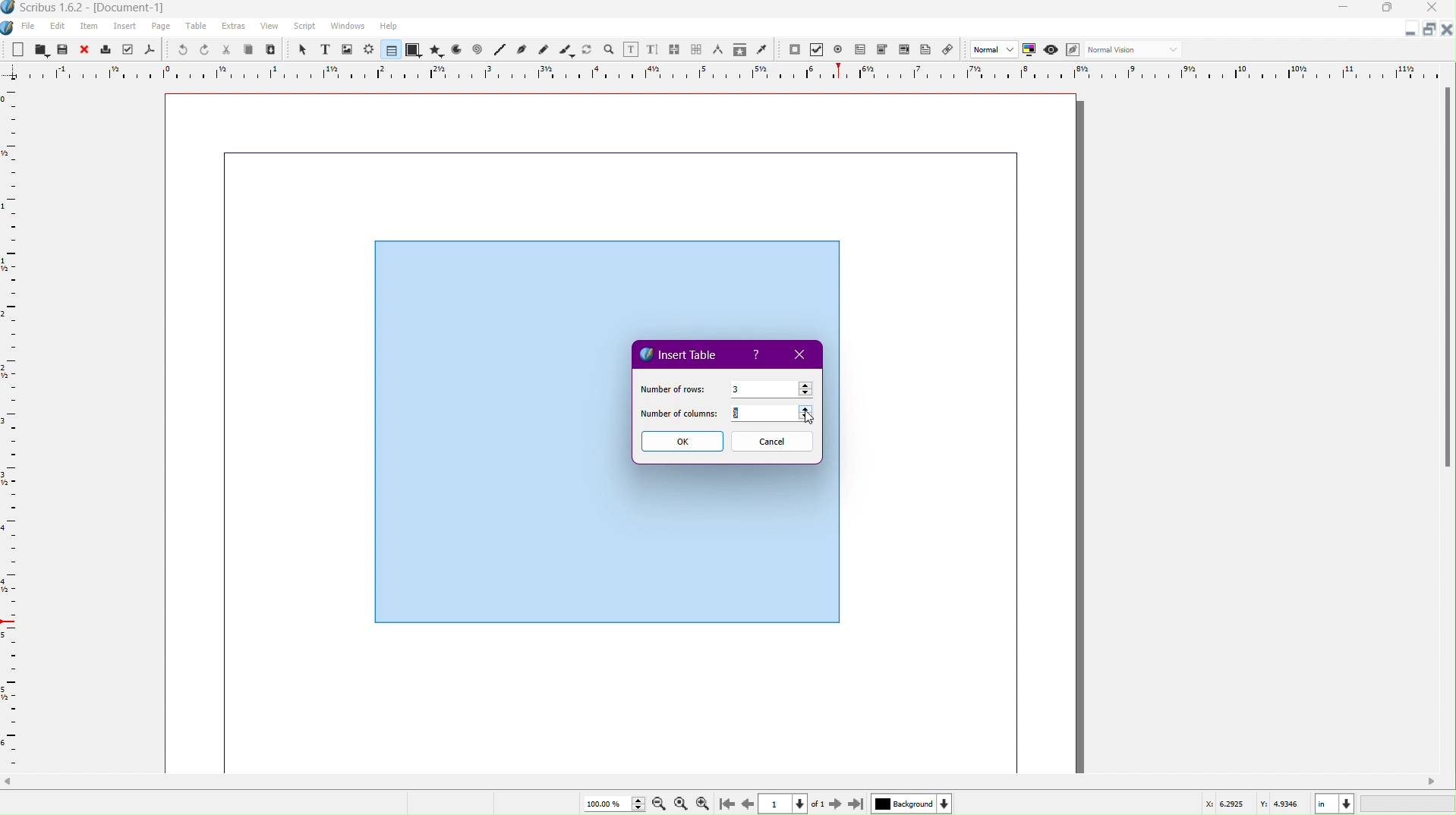  I want to click on Page, so click(162, 27).